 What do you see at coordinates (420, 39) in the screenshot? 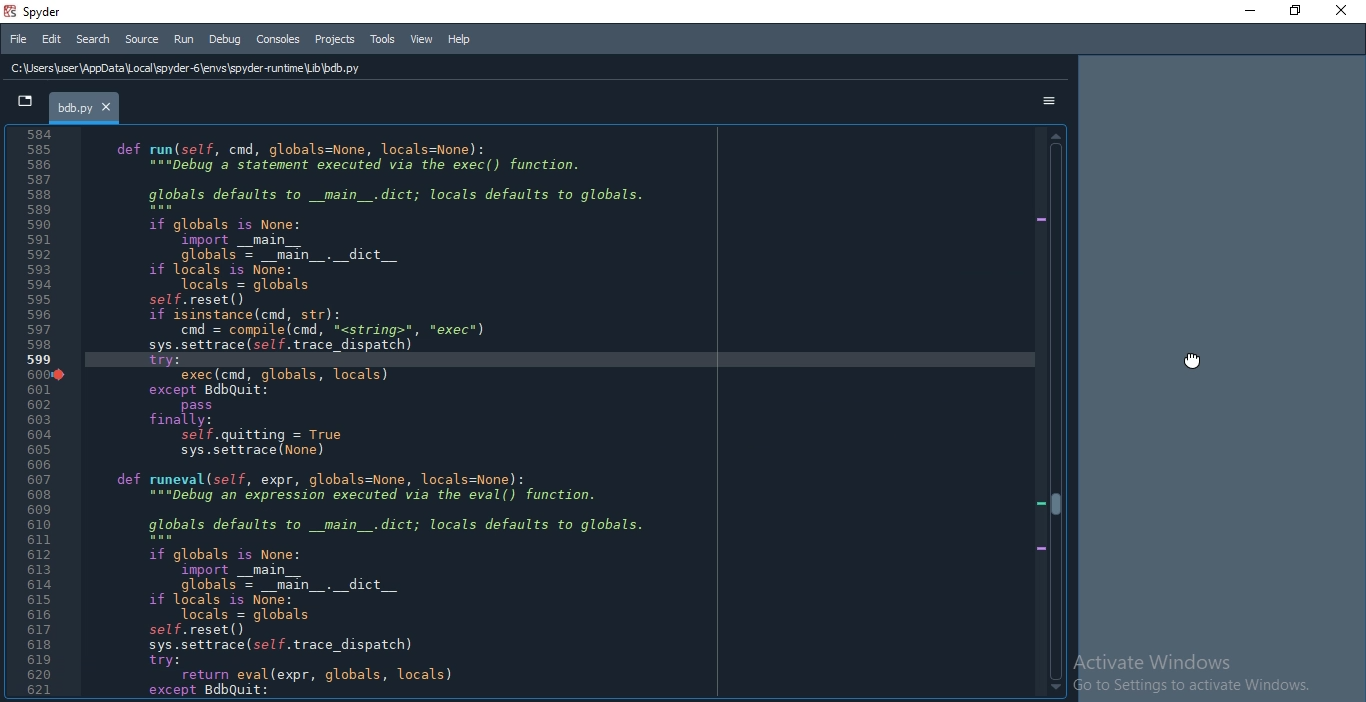
I see `View` at bounding box center [420, 39].